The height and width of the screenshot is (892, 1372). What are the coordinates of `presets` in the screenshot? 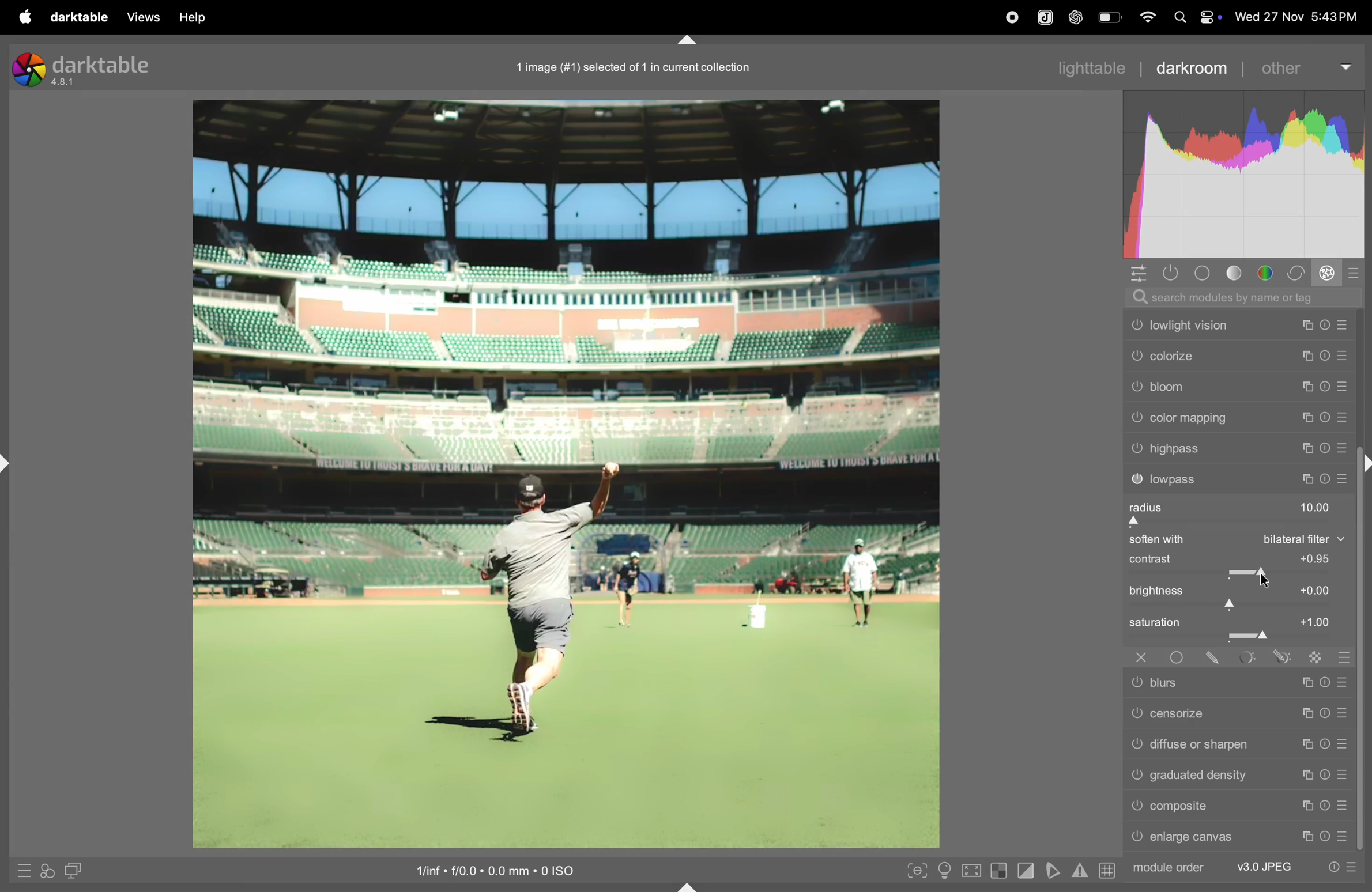 It's located at (1355, 273).